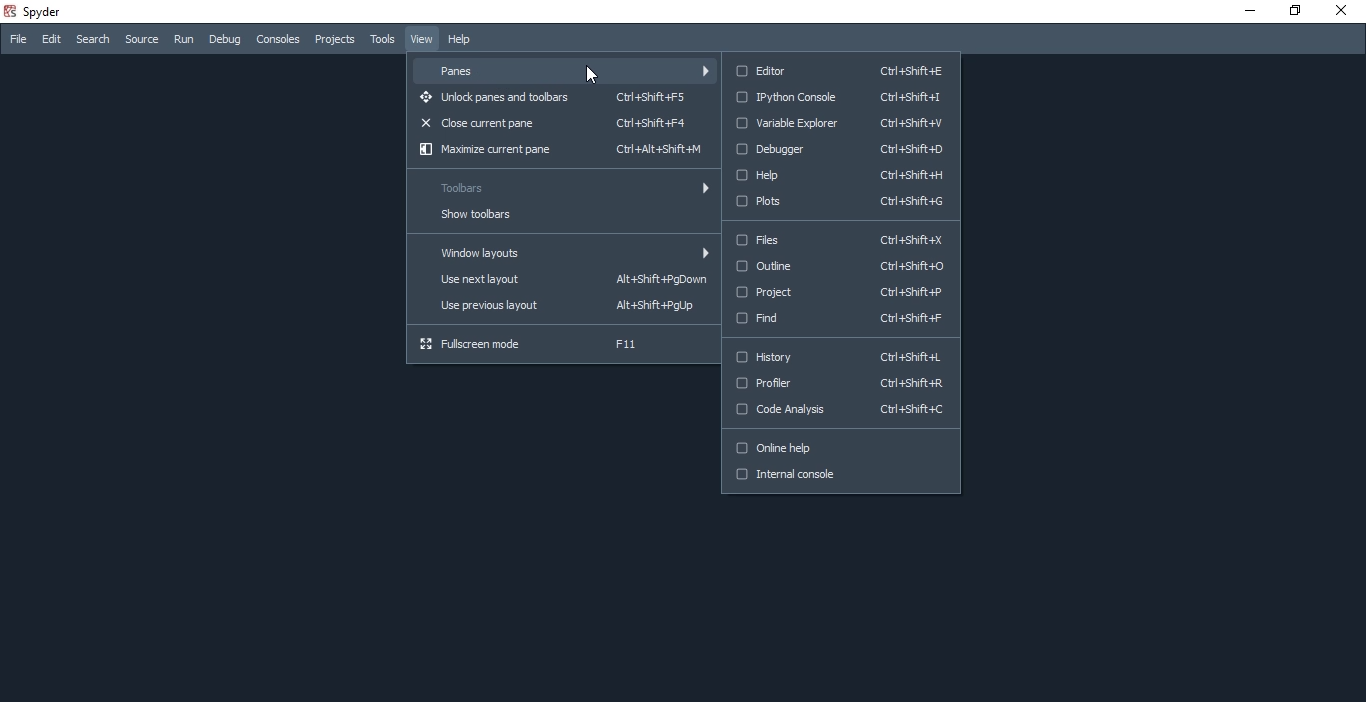 This screenshot has height=702, width=1366. Describe the element at coordinates (558, 252) in the screenshot. I see `Window layouts` at that location.